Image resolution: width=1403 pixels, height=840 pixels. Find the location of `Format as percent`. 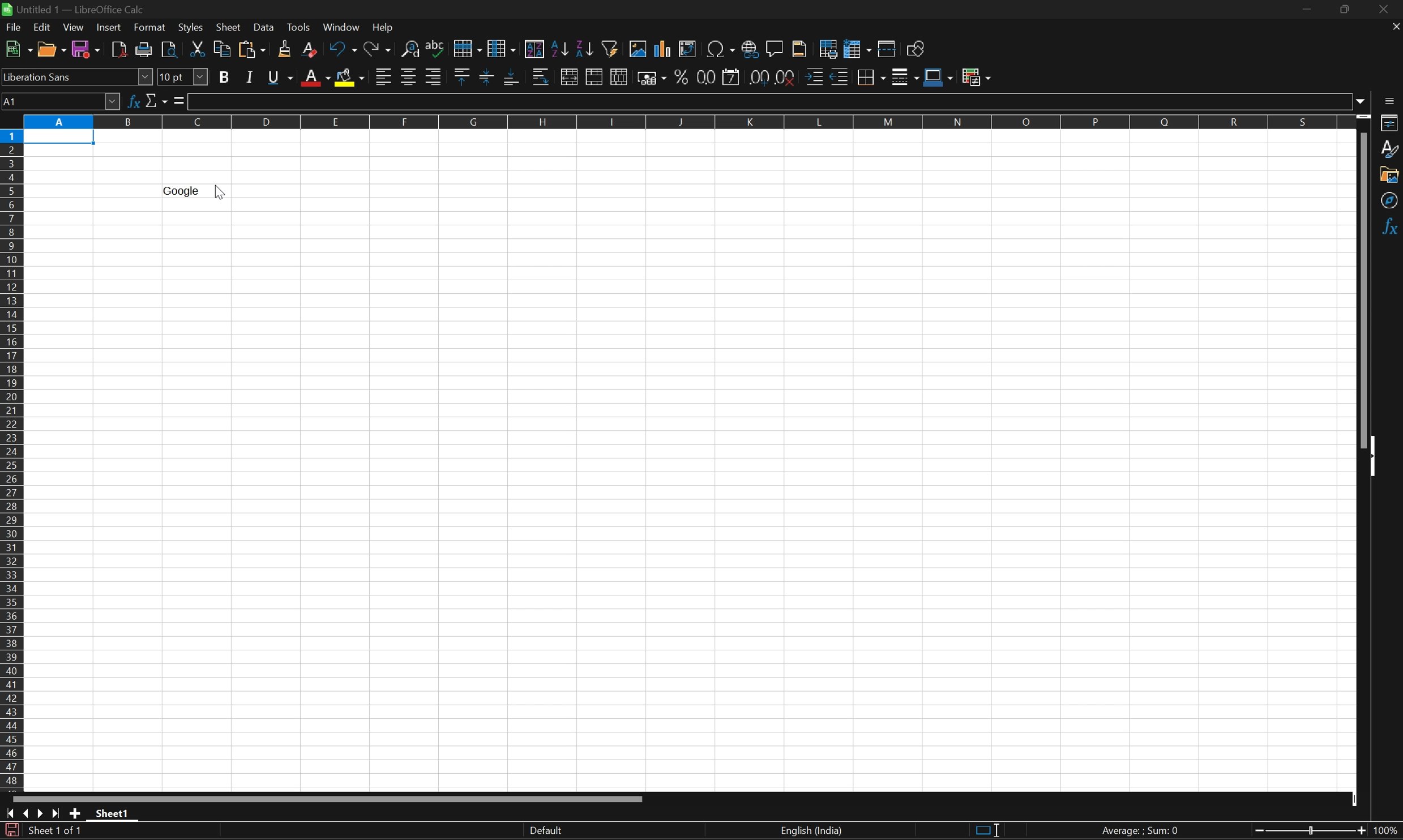

Format as percent is located at coordinates (682, 76).